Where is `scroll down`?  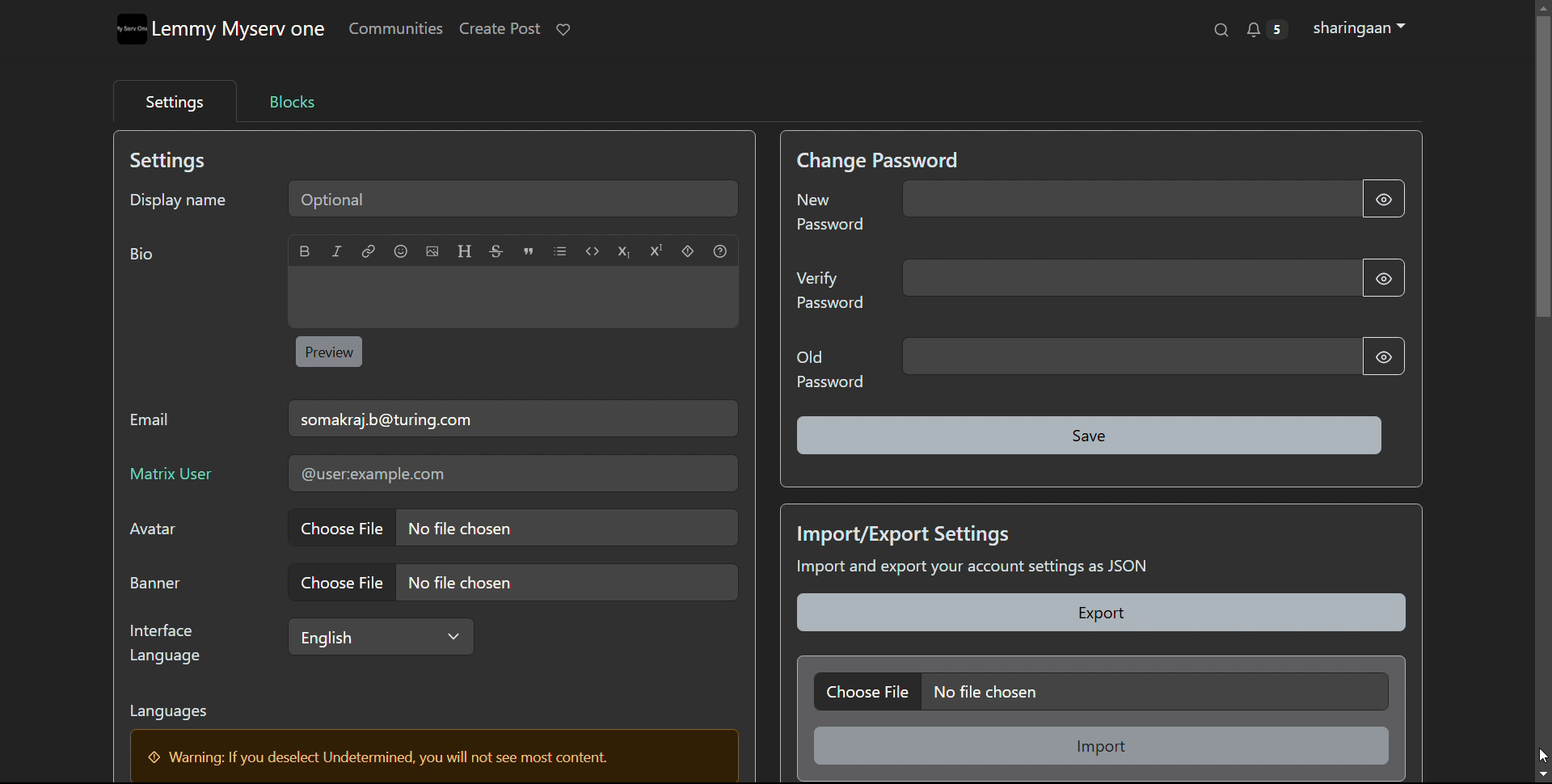
scroll down is located at coordinates (1542, 775).